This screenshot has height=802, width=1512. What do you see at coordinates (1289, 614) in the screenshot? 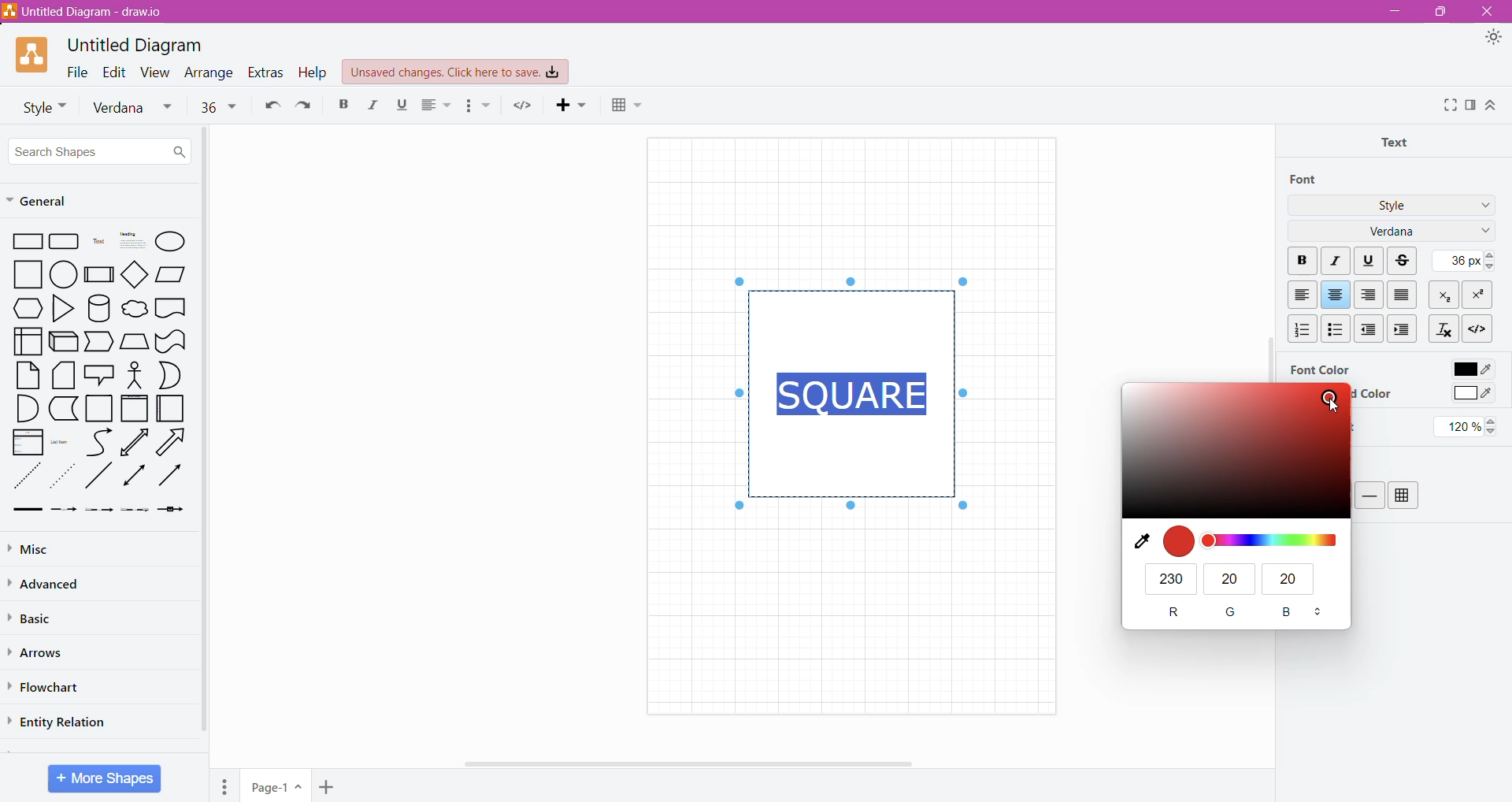
I see `B` at bounding box center [1289, 614].